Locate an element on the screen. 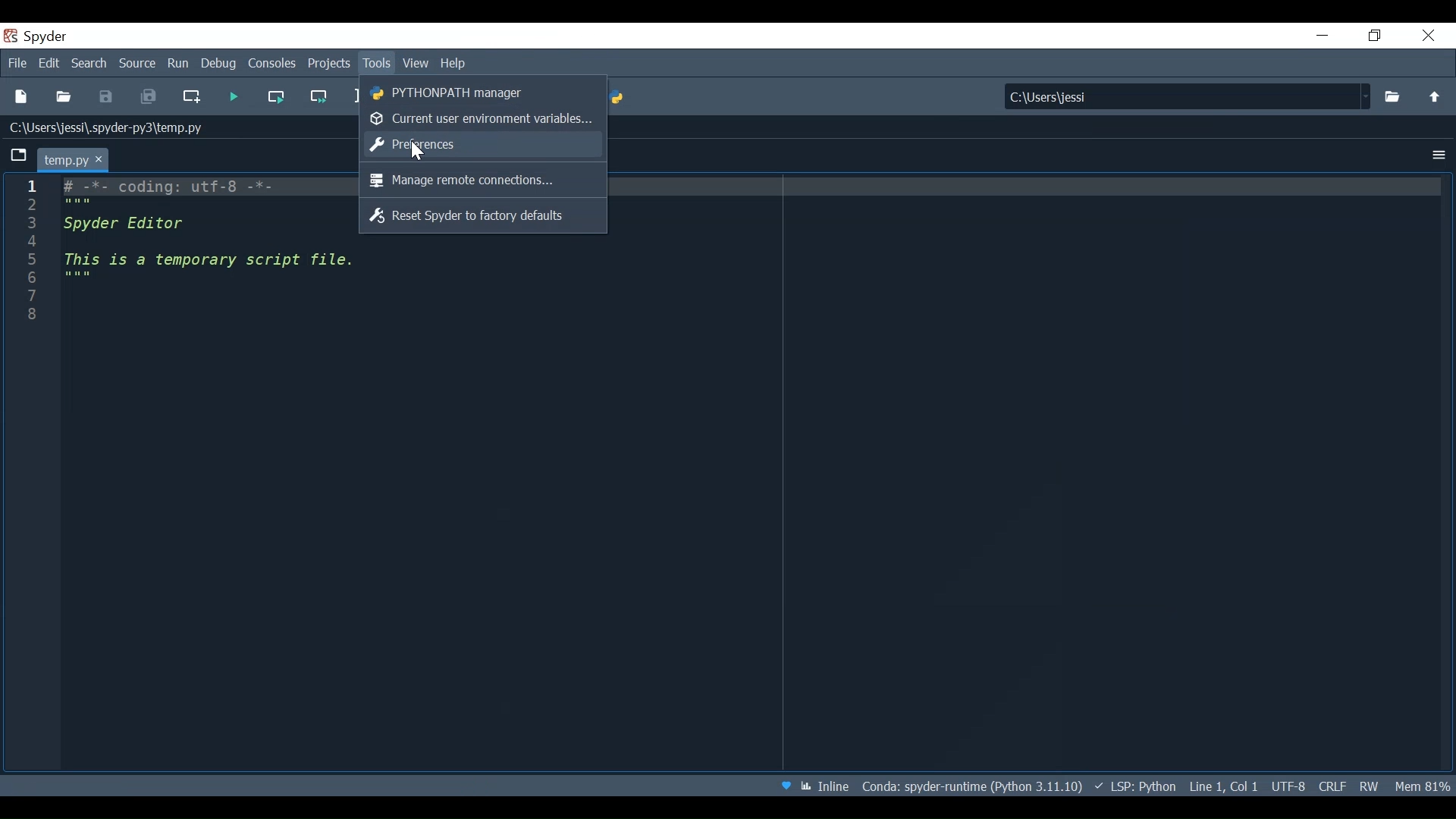  Language is located at coordinates (1134, 786).